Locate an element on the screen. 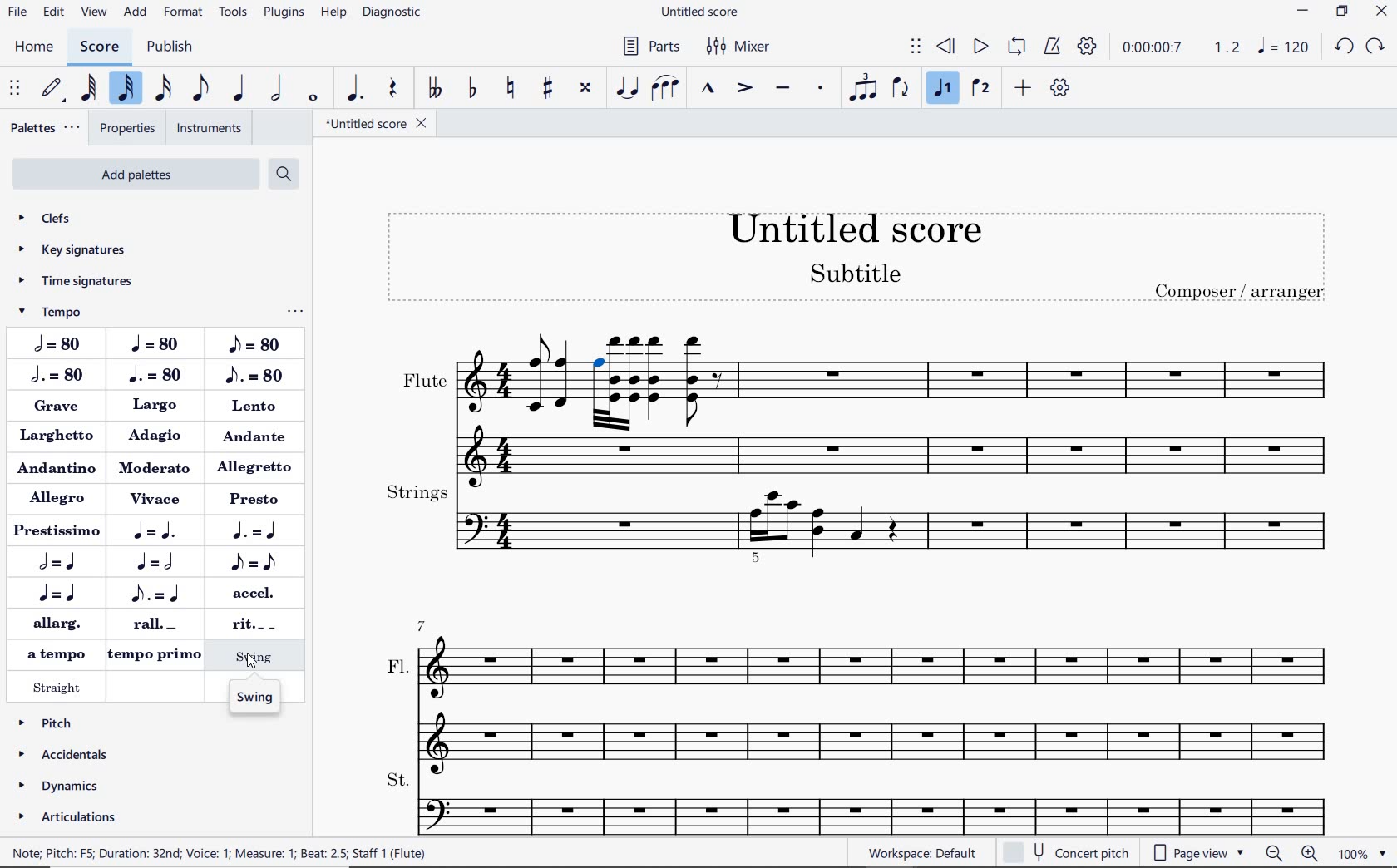 The image size is (1397, 868). 32ND NOTE is located at coordinates (128, 88).